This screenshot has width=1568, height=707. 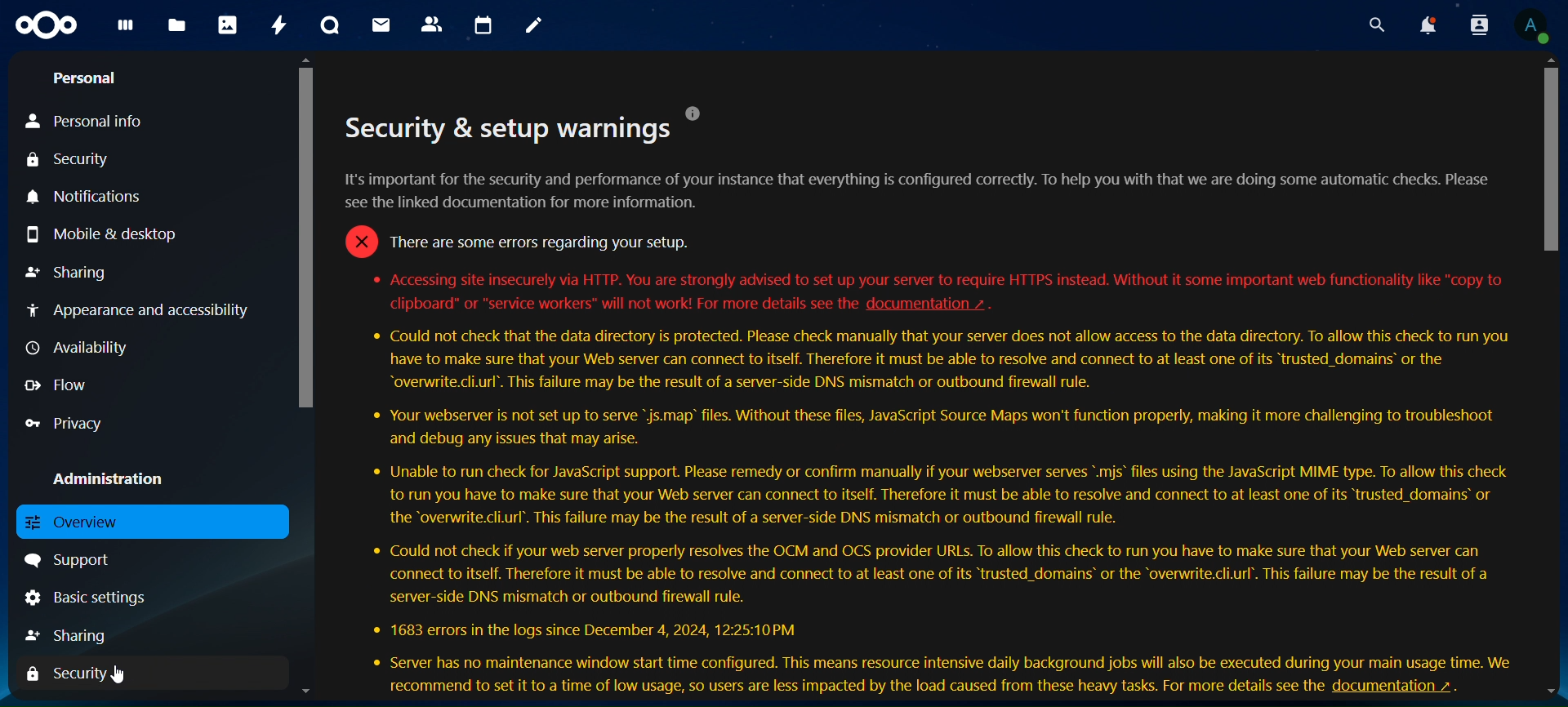 What do you see at coordinates (74, 346) in the screenshot?
I see `availability` at bounding box center [74, 346].